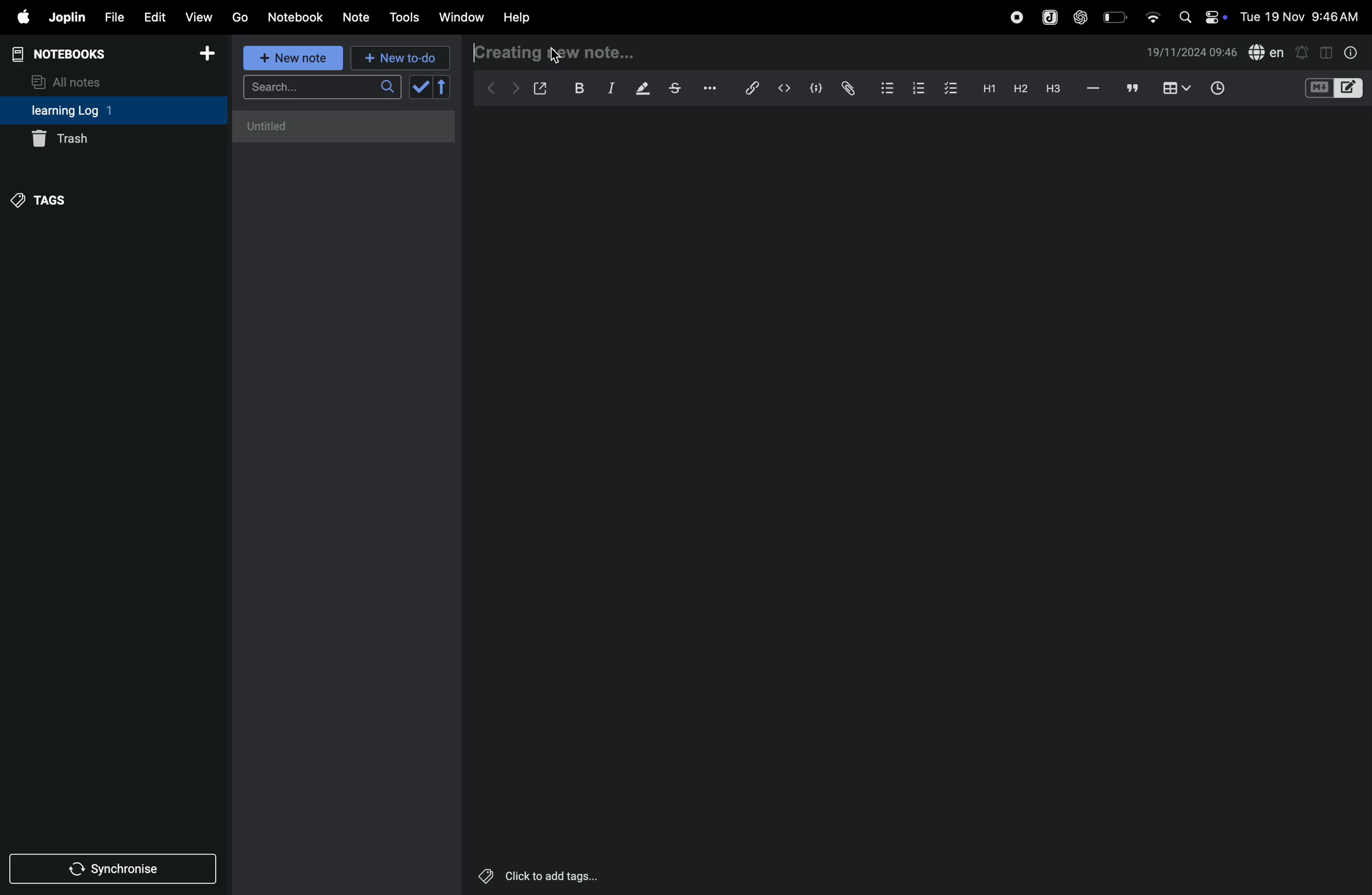 The width and height of the screenshot is (1372, 895). What do you see at coordinates (515, 88) in the screenshot?
I see `forward` at bounding box center [515, 88].